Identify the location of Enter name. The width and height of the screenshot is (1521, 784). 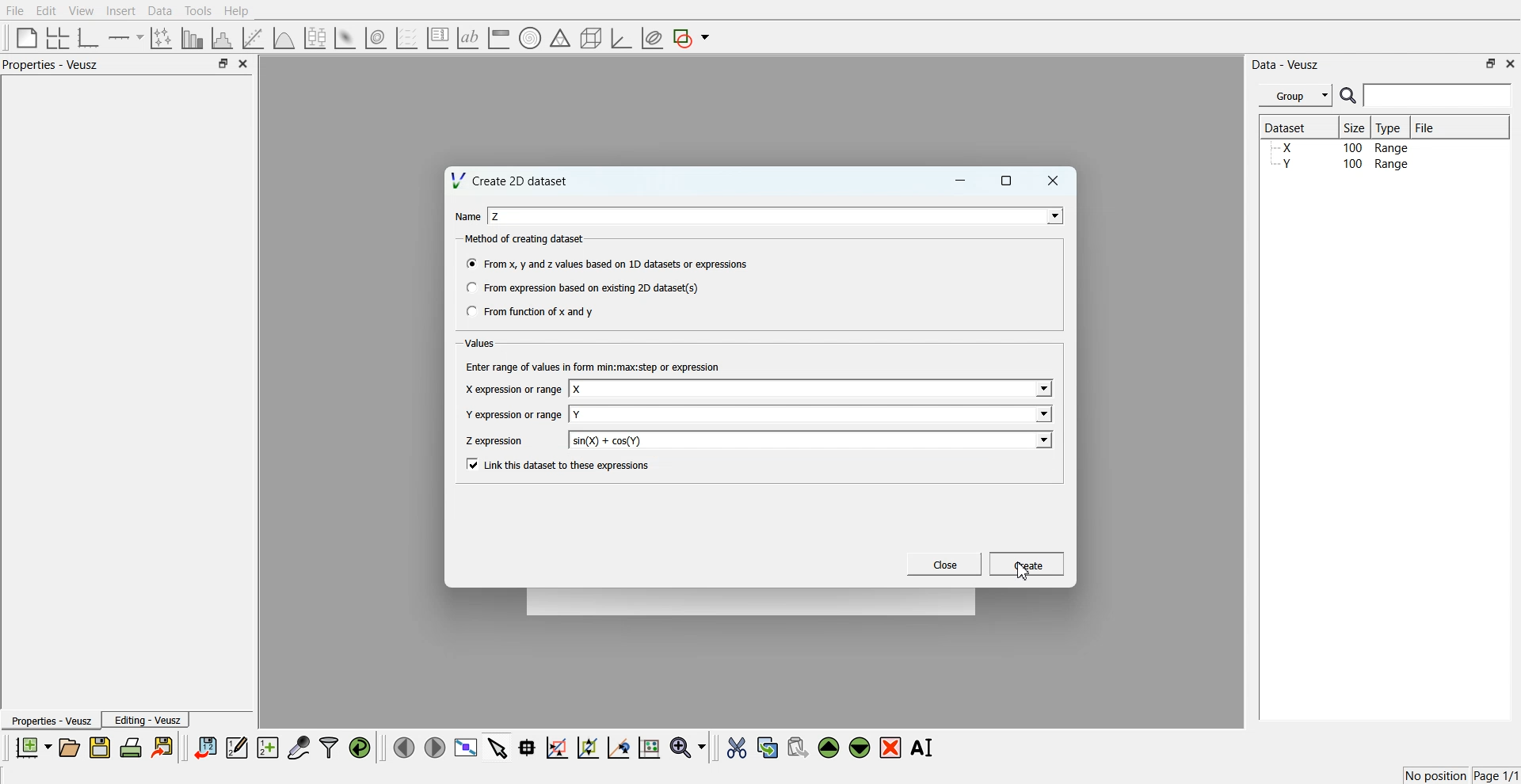
(812, 390).